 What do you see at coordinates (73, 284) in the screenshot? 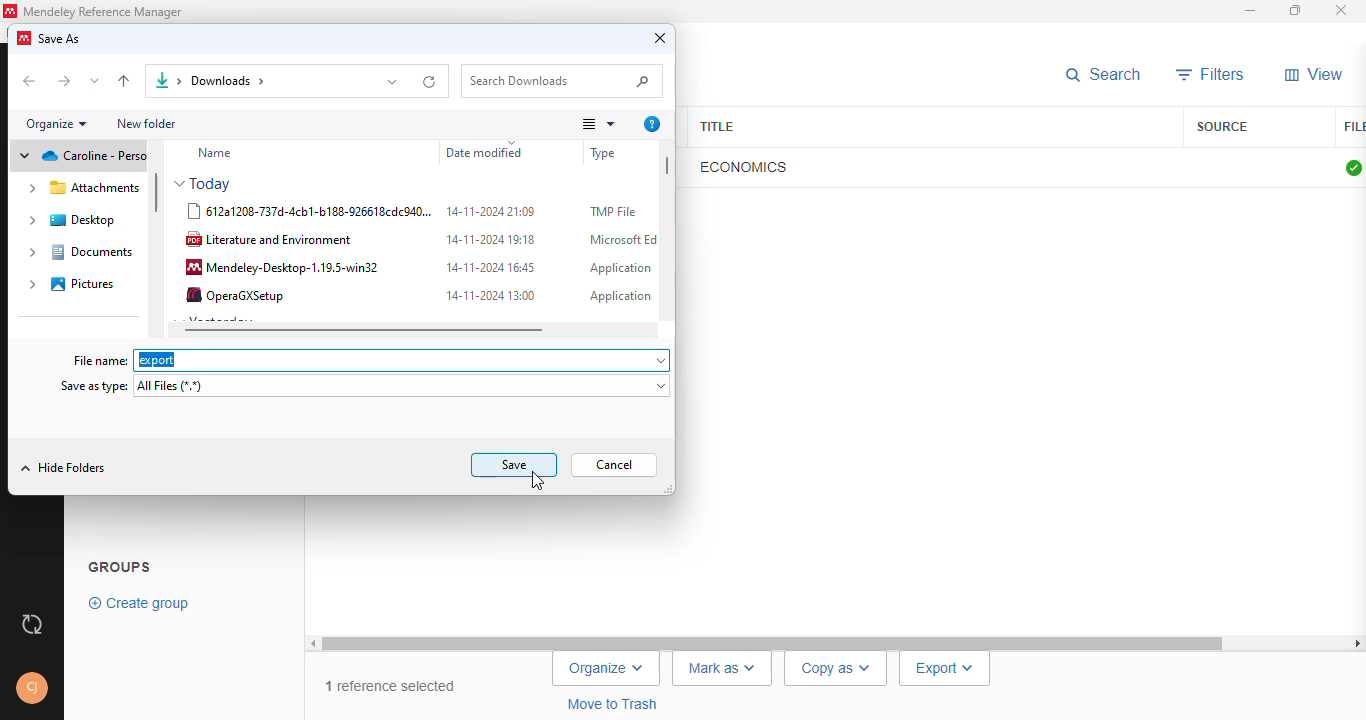
I see `pictures` at bounding box center [73, 284].